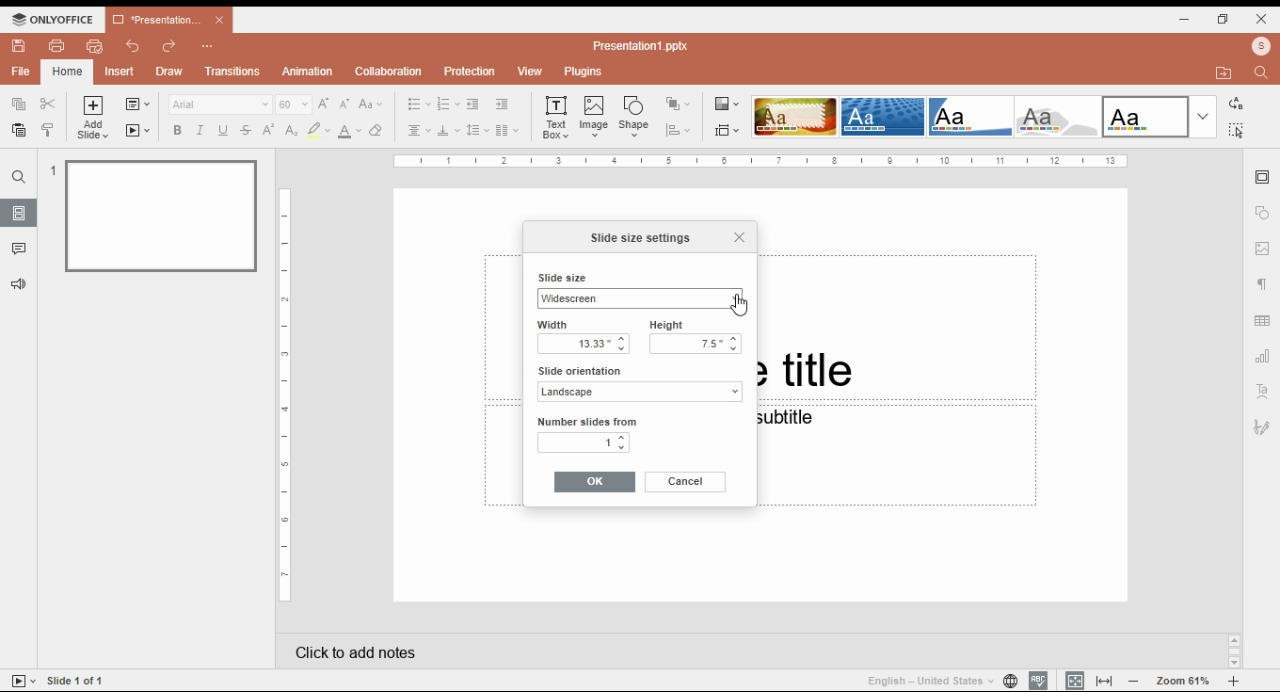 The width and height of the screenshot is (1280, 692). I want to click on comments, so click(19, 249).